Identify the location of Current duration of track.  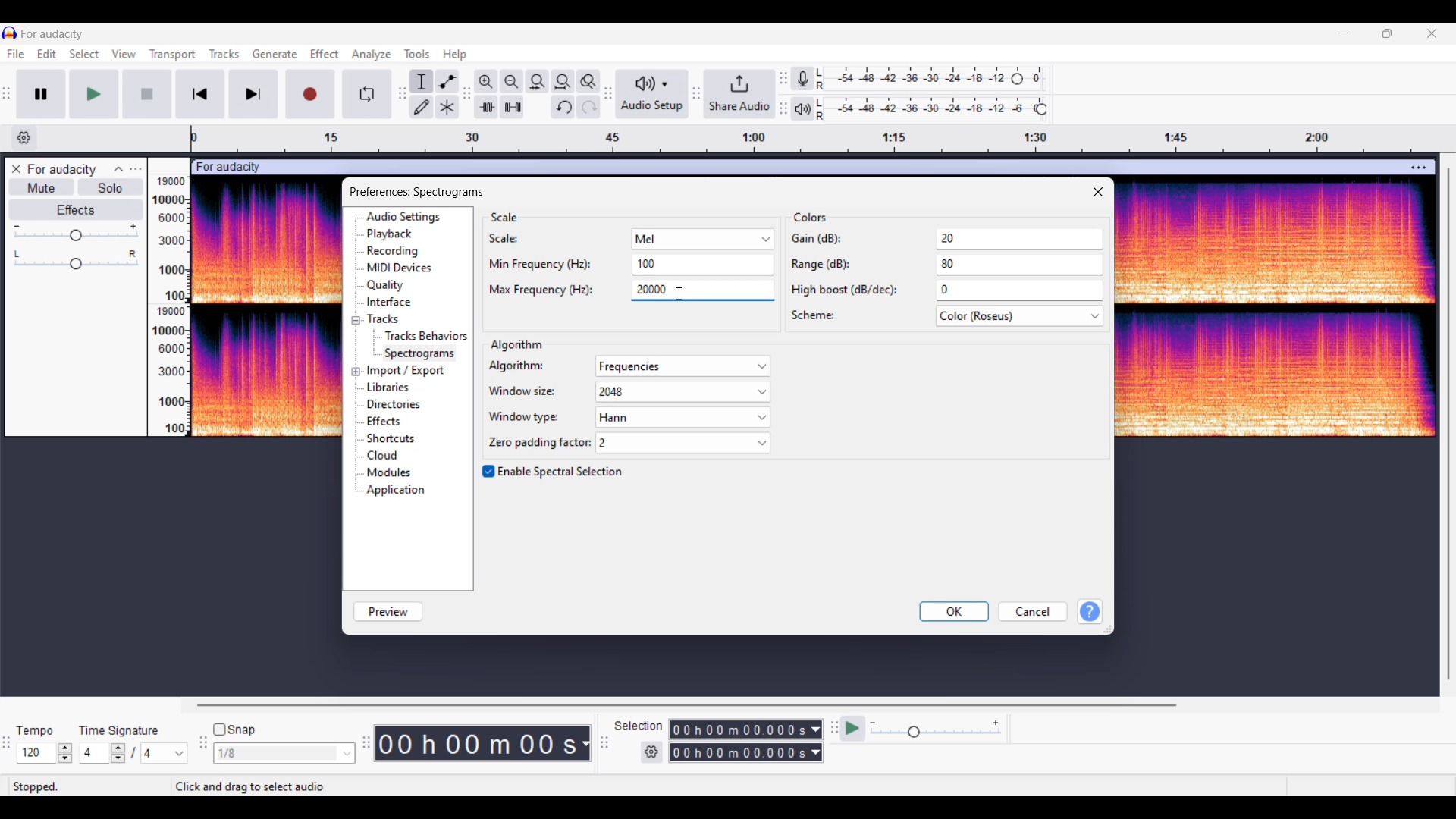
(475, 743).